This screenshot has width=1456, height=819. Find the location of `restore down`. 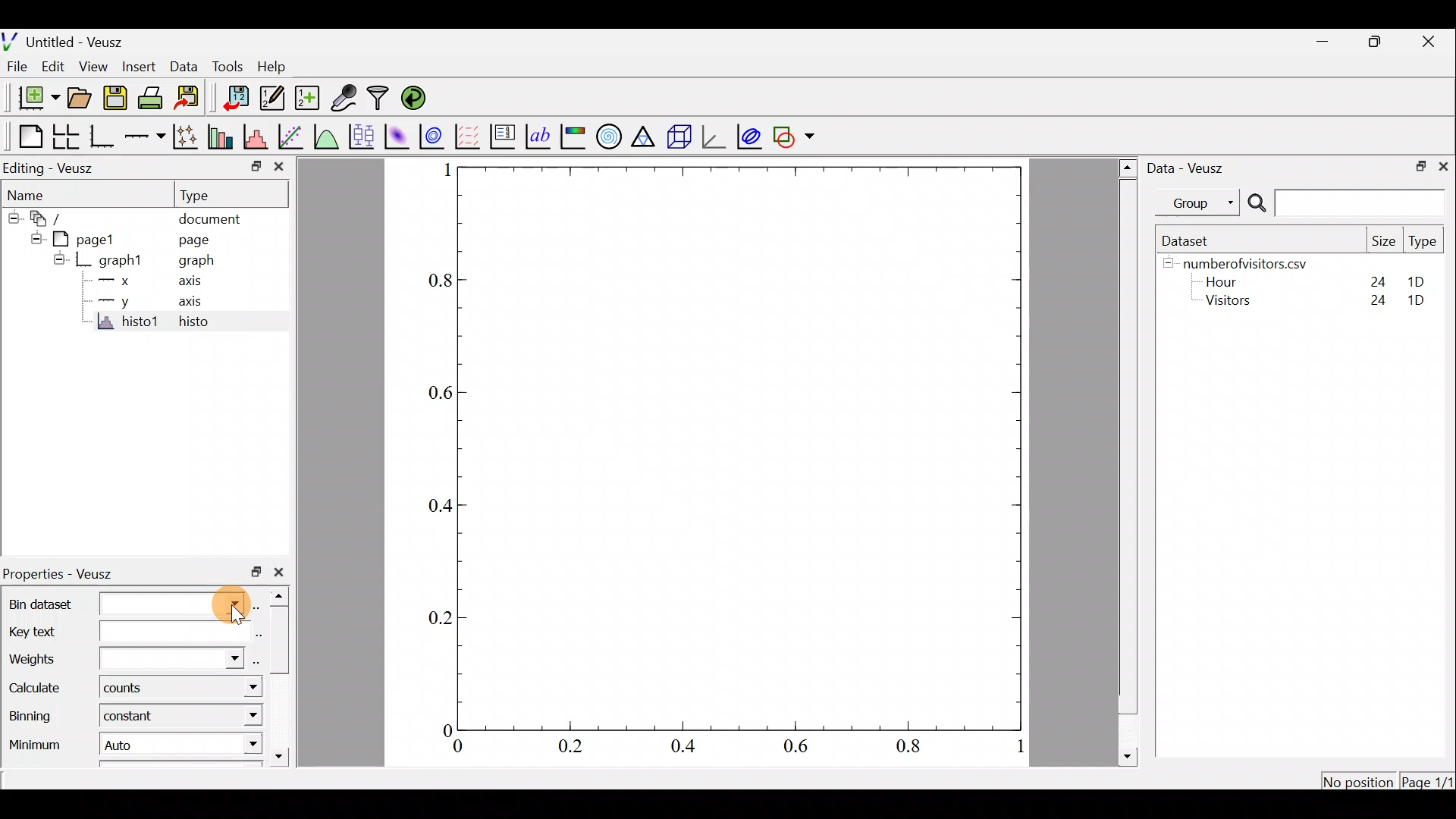

restore down is located at coordinates (249, 168).